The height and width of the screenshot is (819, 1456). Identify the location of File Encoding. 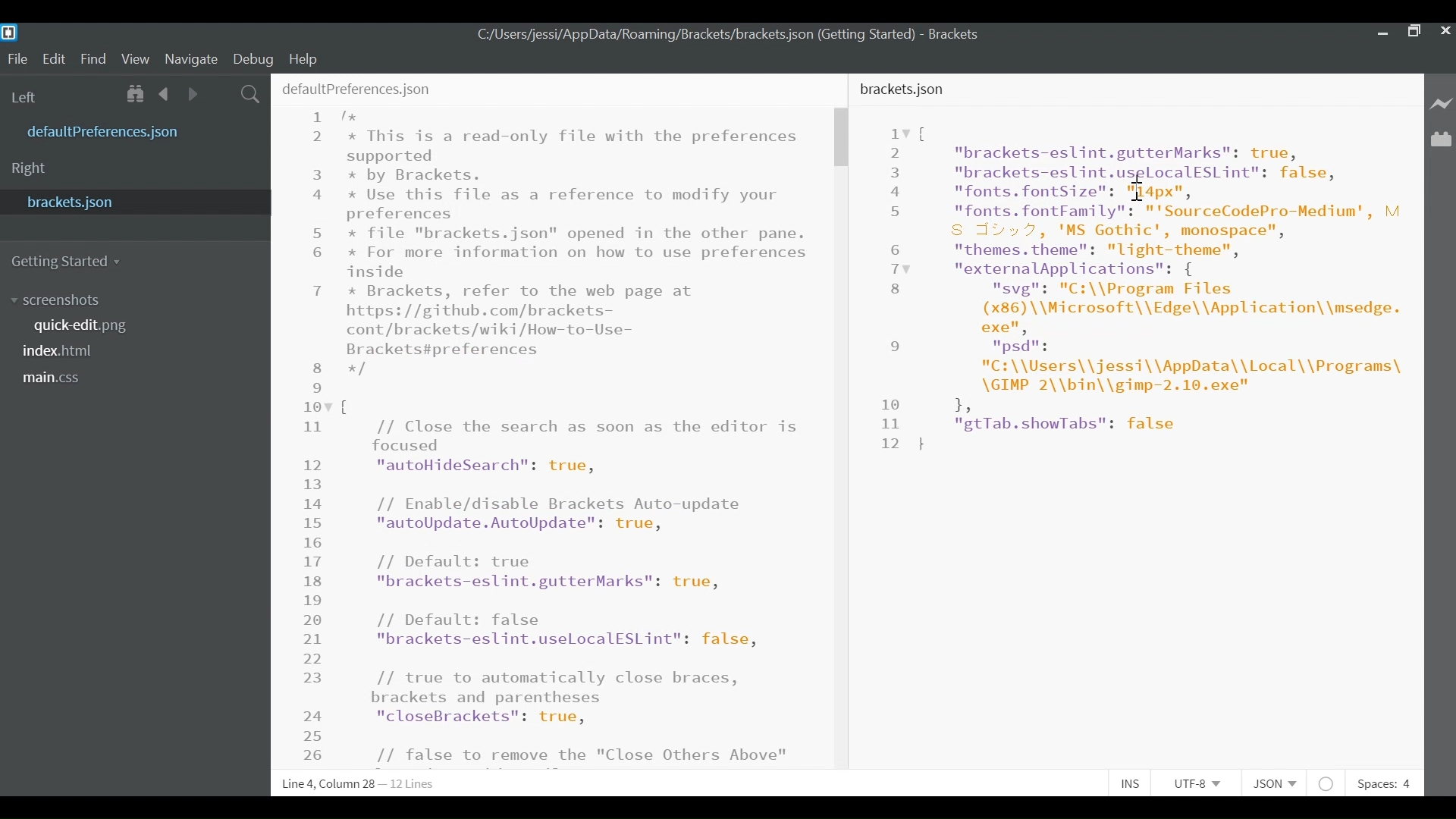
(1198, 783).